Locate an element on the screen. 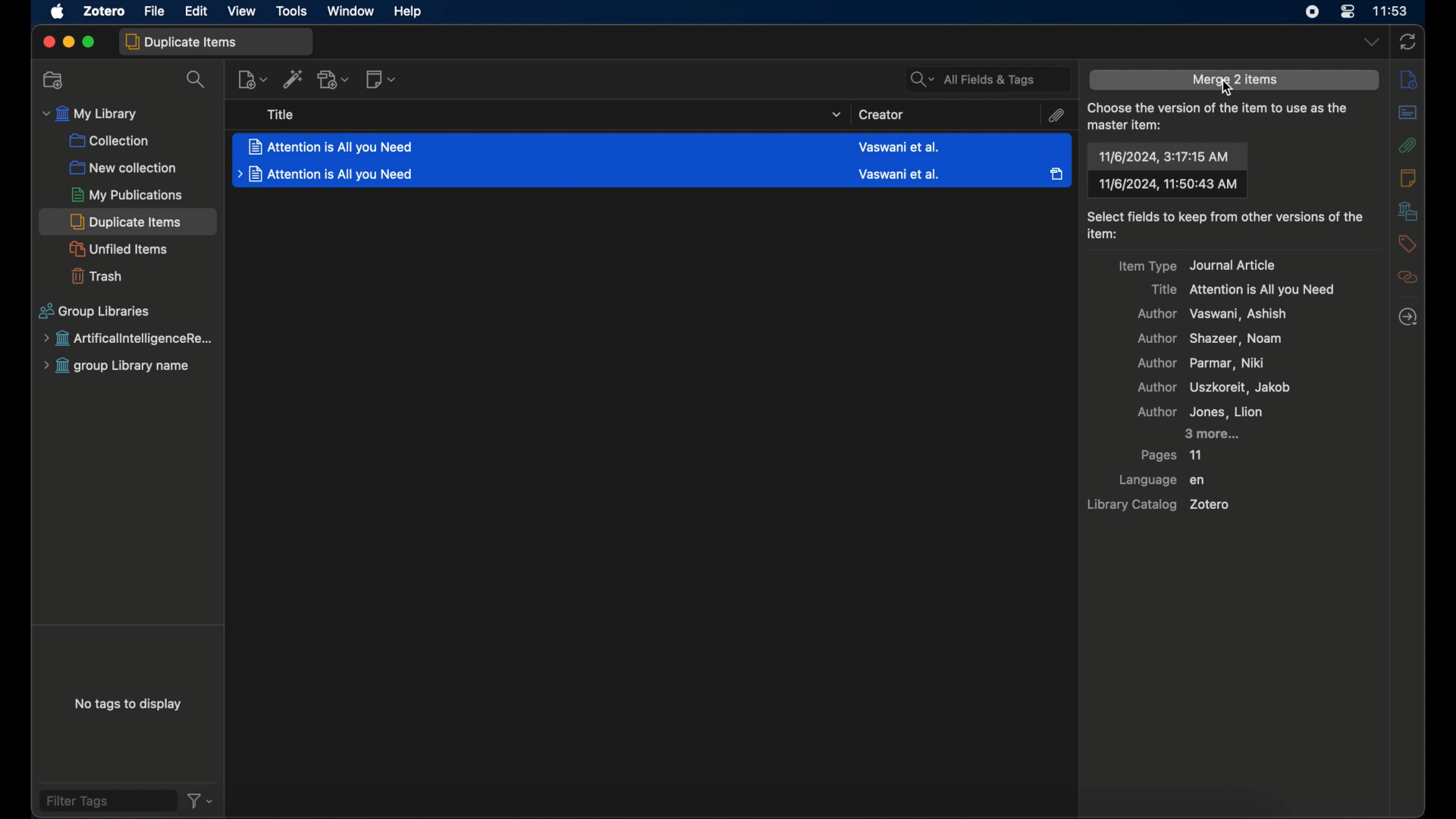 The height and width of the screenshot is (819, 1456). notes is located at coordinates (1407, 178).